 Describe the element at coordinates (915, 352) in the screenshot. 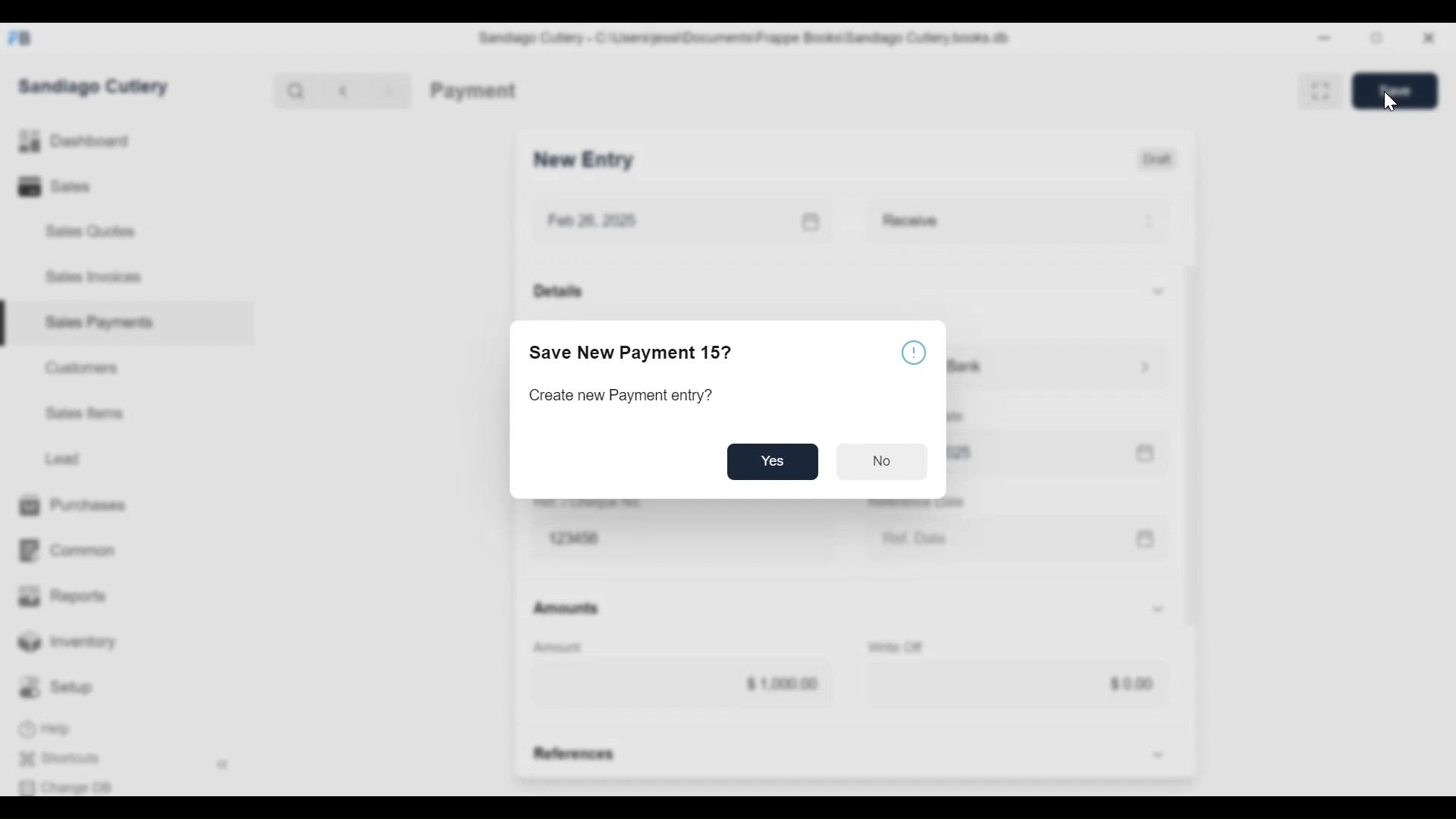

I see `Help` at that location.